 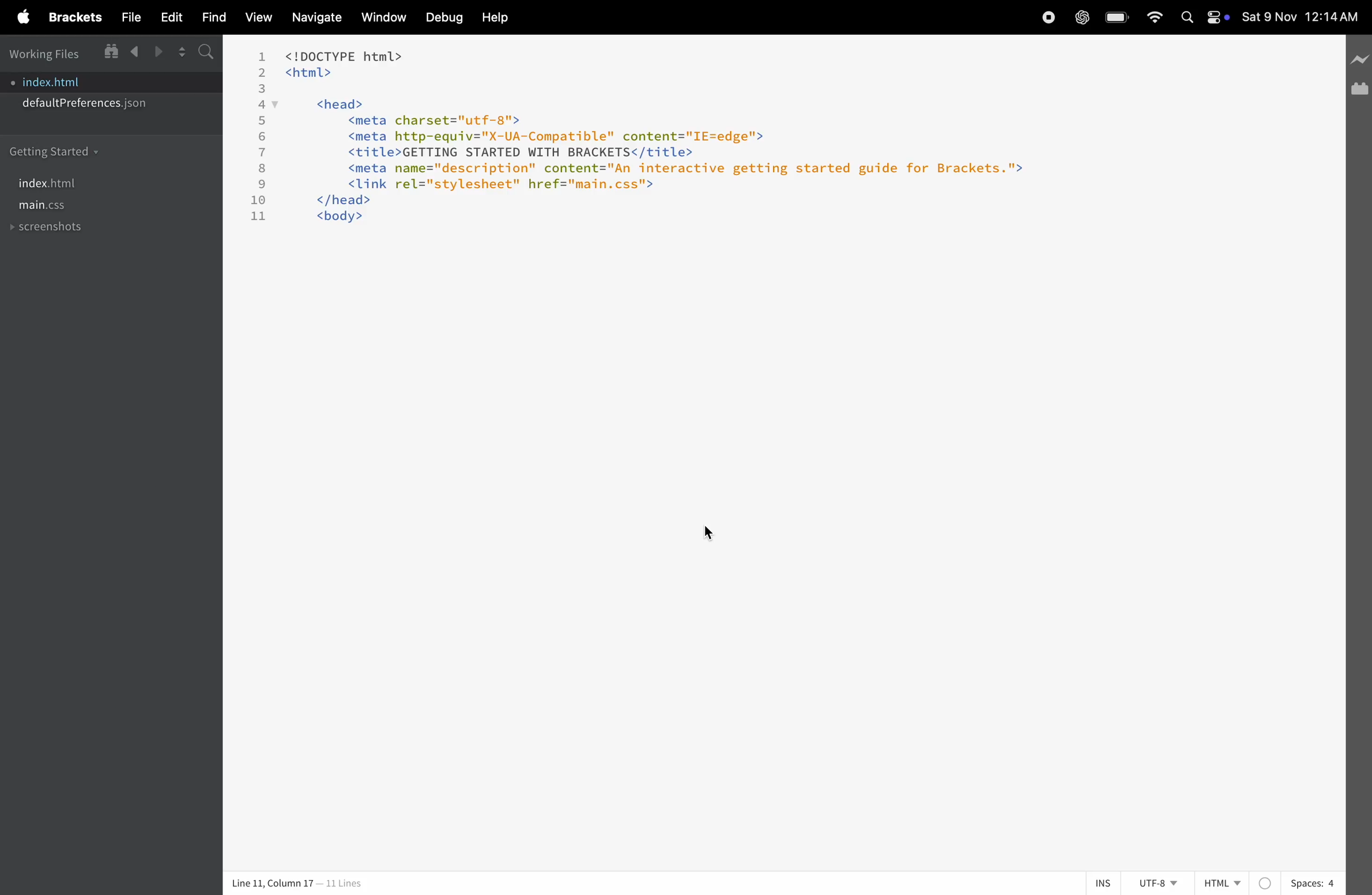 What do you see at coordinates (1203, 14) in the screenshot?
I see `apple widgets` at bounding box center [1203, 14].